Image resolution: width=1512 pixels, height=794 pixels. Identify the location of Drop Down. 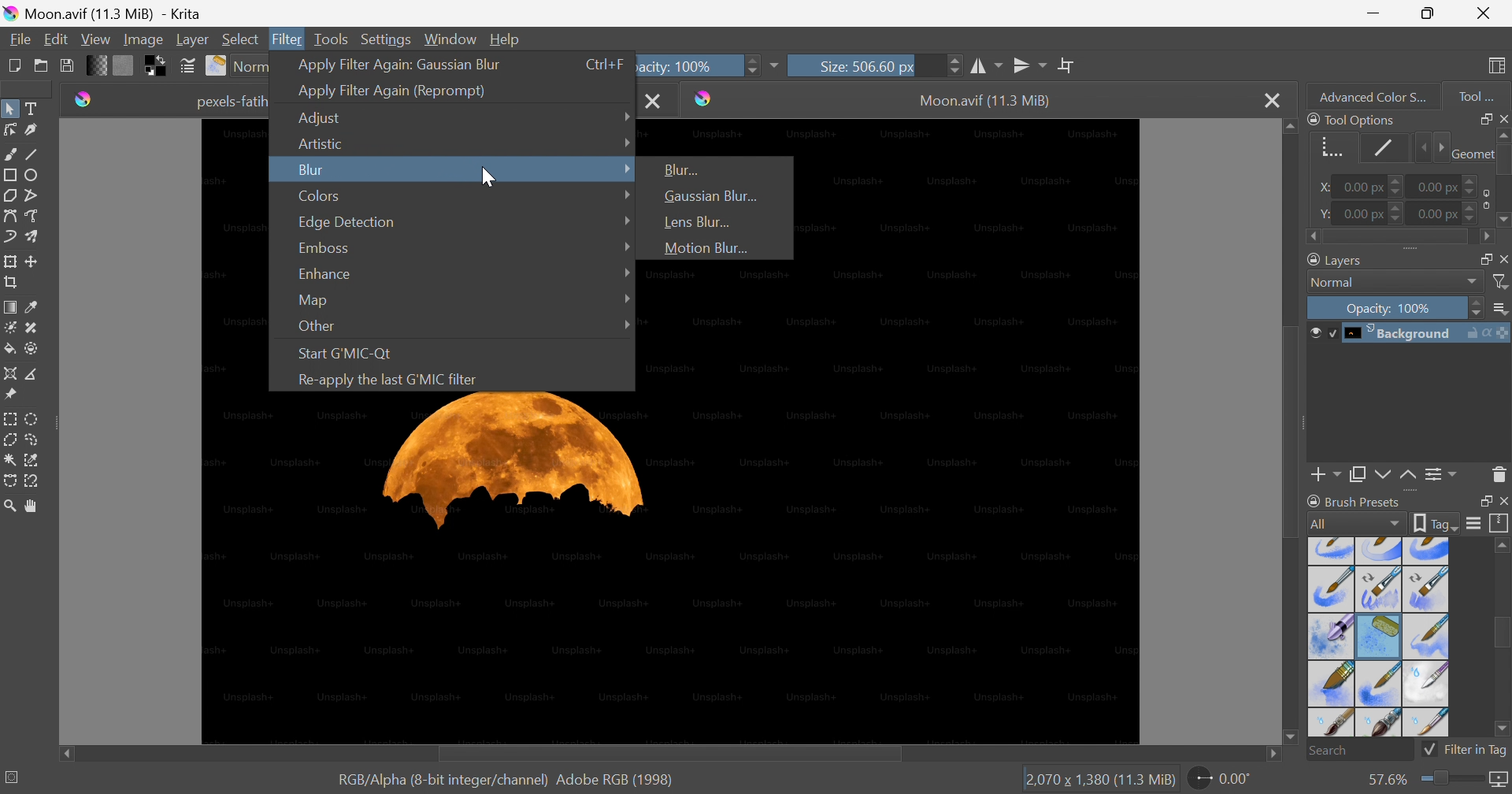
(626, 297).